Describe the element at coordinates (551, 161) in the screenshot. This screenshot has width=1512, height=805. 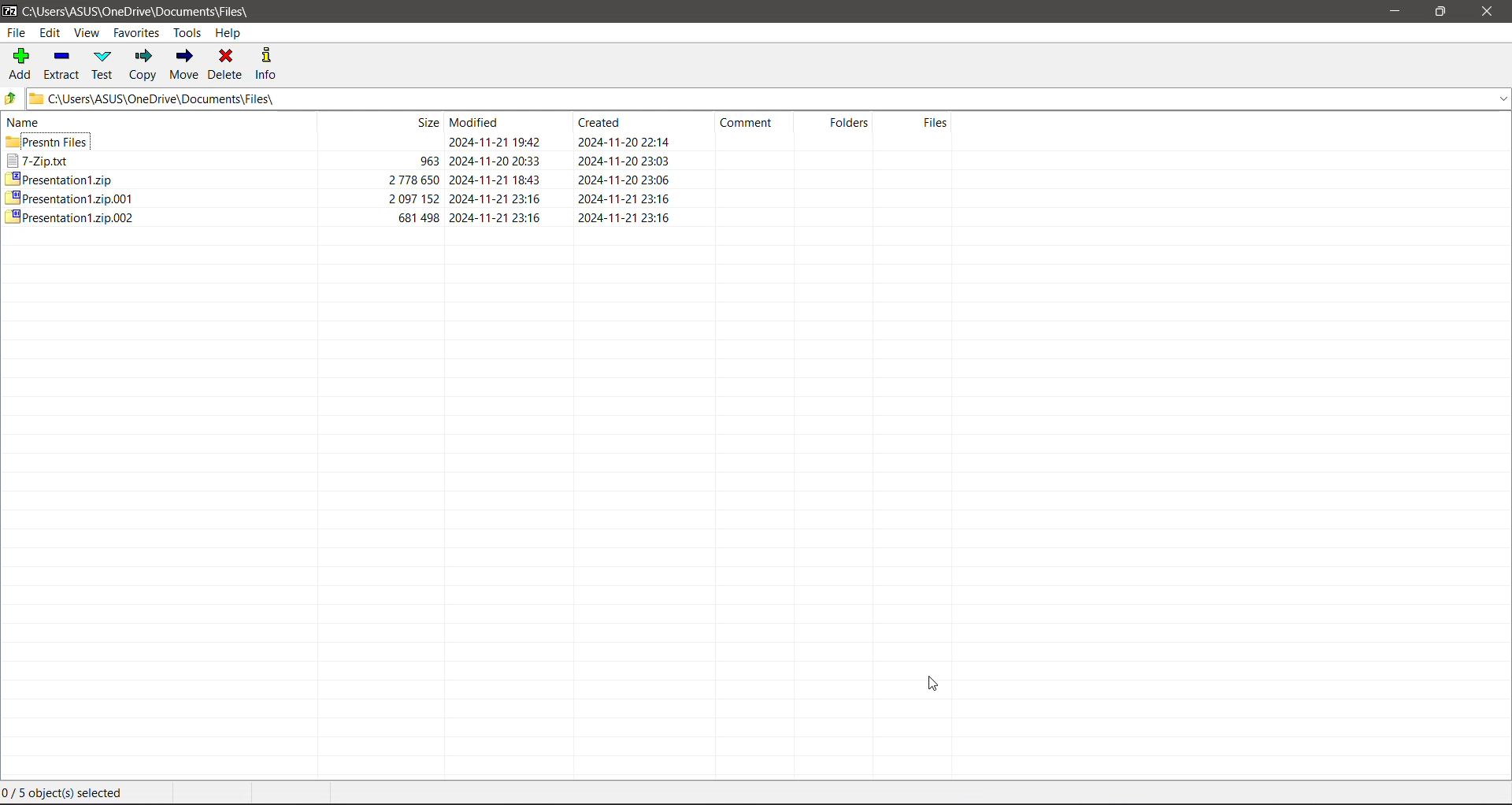
I see `963 2024-11-20 20:33 2024-11-20 23:03` at that location.